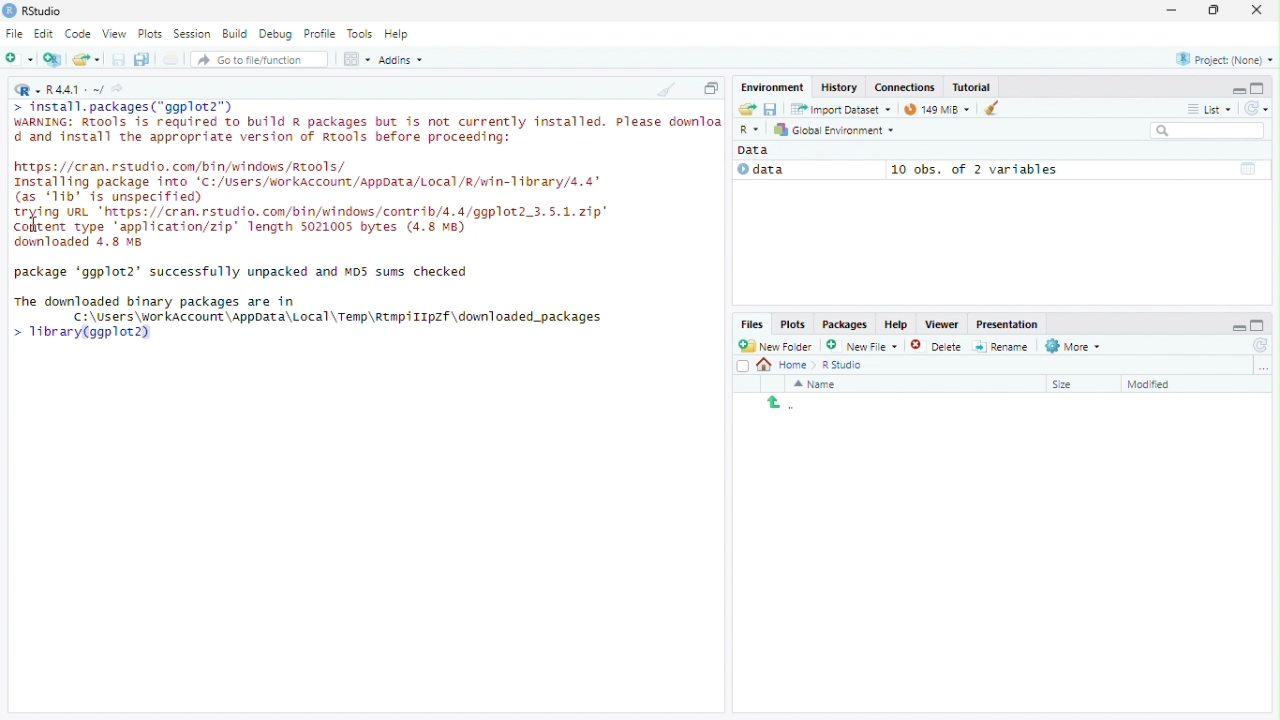 This screenshot has width=1280, height=720. Describe the element at coordinates (1260, 88) in the screenshot. I see `maximize` at that location.